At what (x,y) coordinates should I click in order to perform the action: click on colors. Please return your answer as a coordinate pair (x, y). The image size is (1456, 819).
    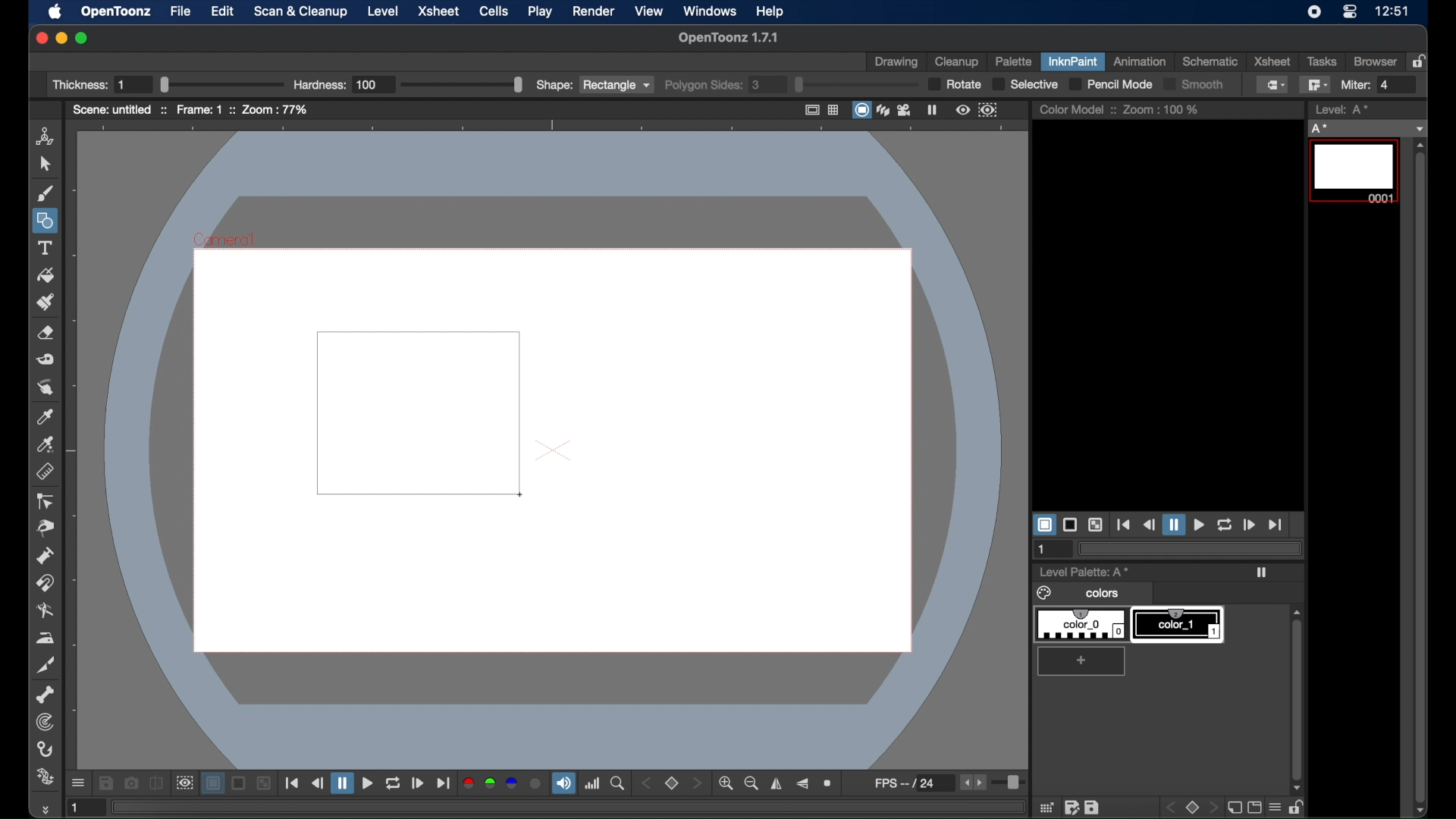
    Looking at the image, I should click on (1080, 594).